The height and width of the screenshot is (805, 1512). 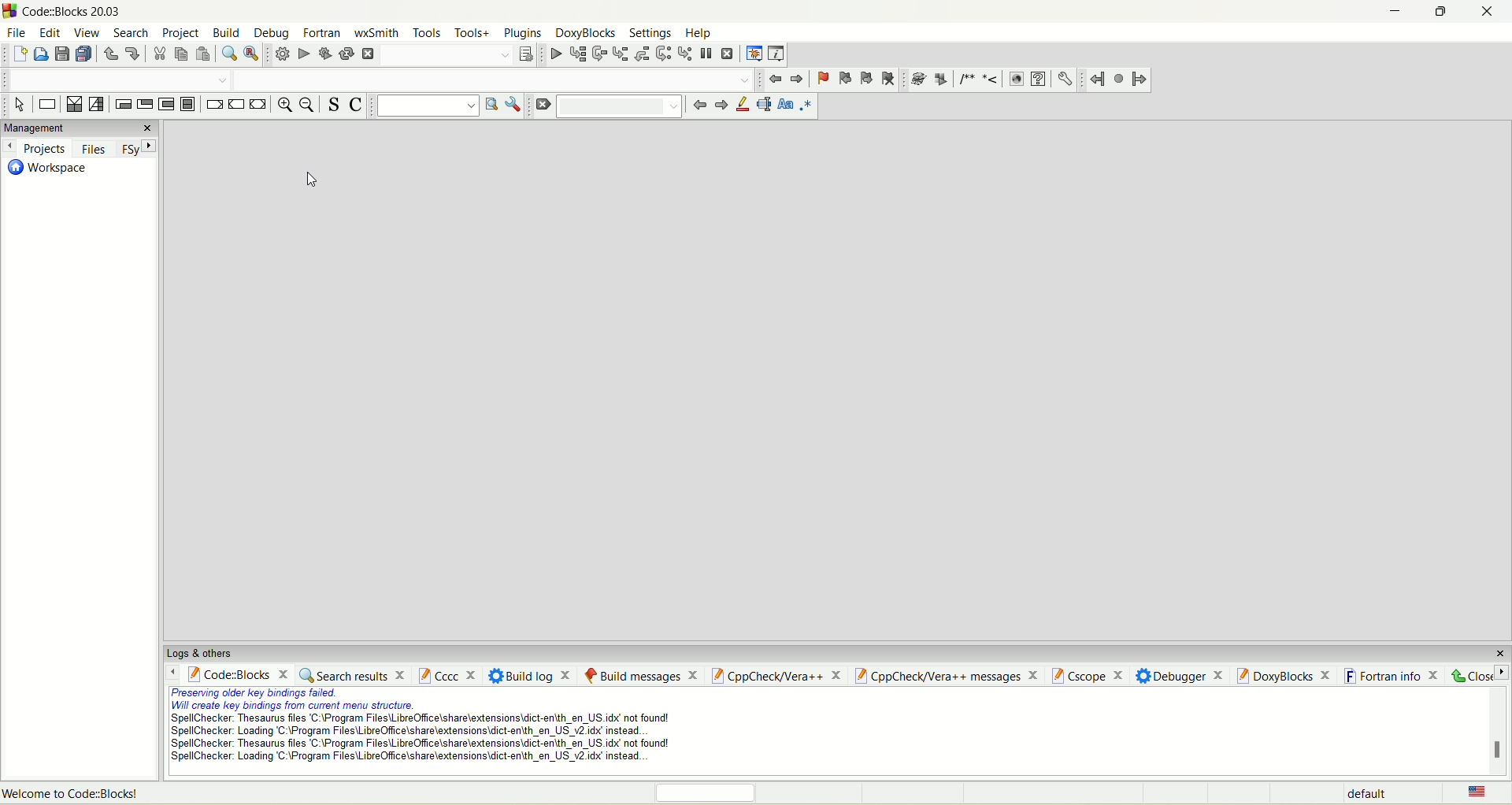 I want to click on help, so click(x=698, y=34).